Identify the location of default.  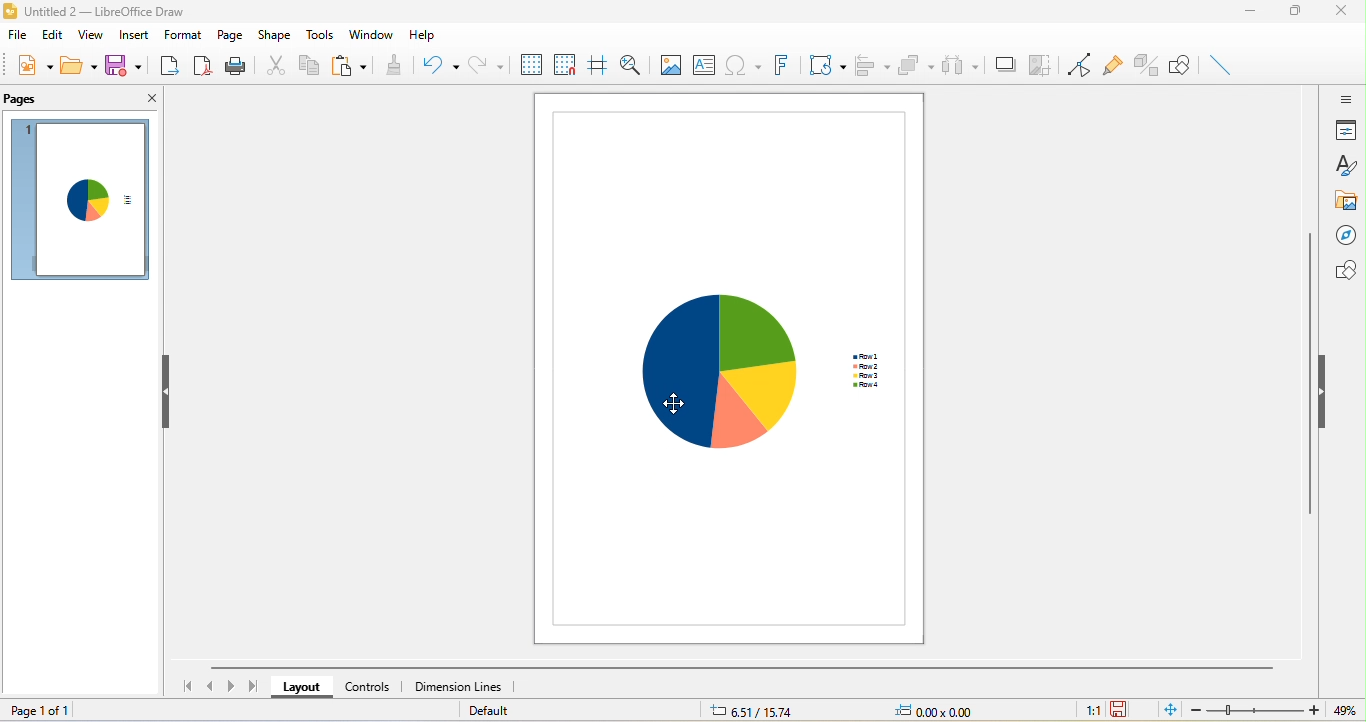
(499, 711).